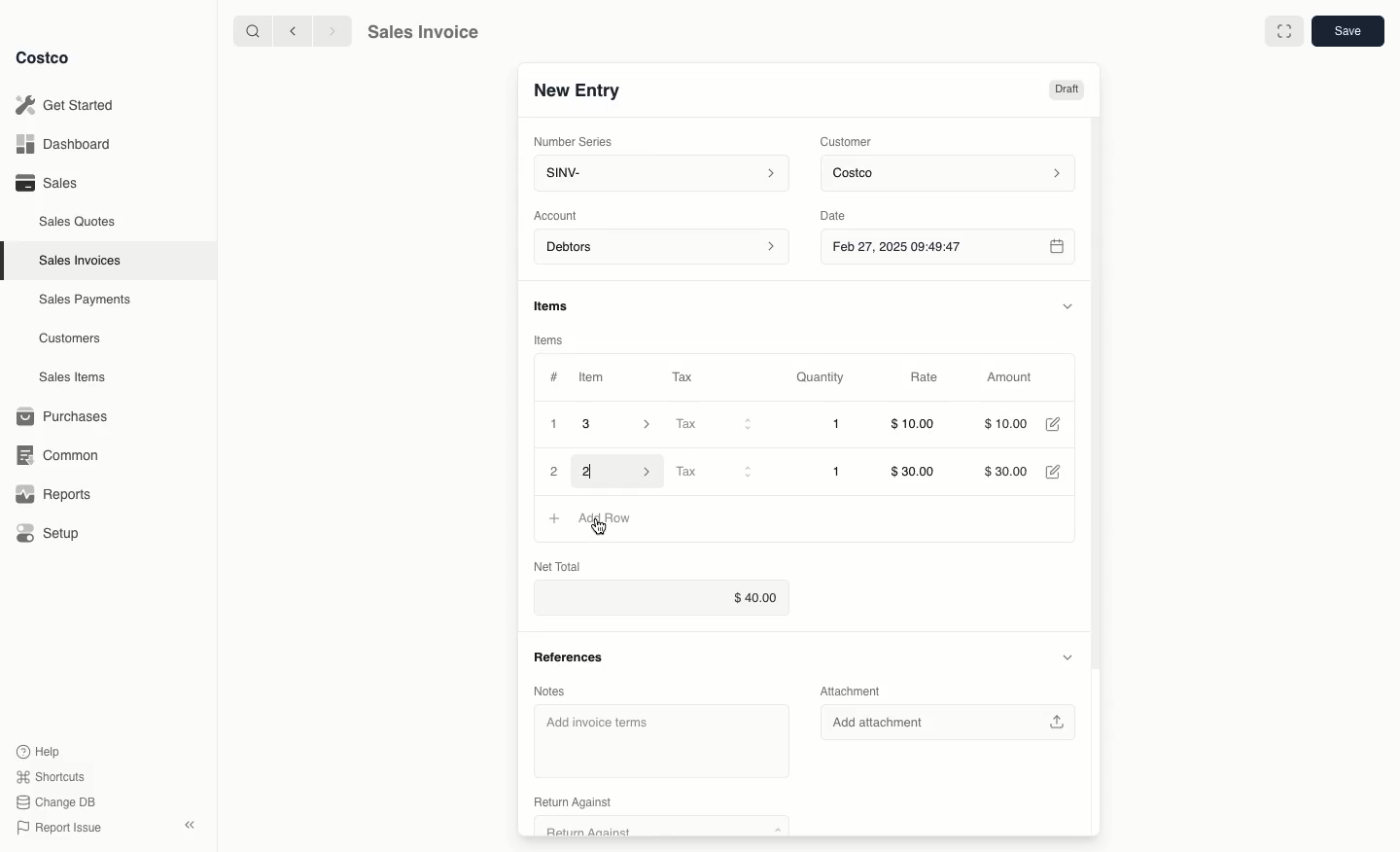 This screenshot has width=1400, height=852. What do you see at coordinates (560, 307) in the screenshot?
I see `Items` at bounding box center [560, 307].